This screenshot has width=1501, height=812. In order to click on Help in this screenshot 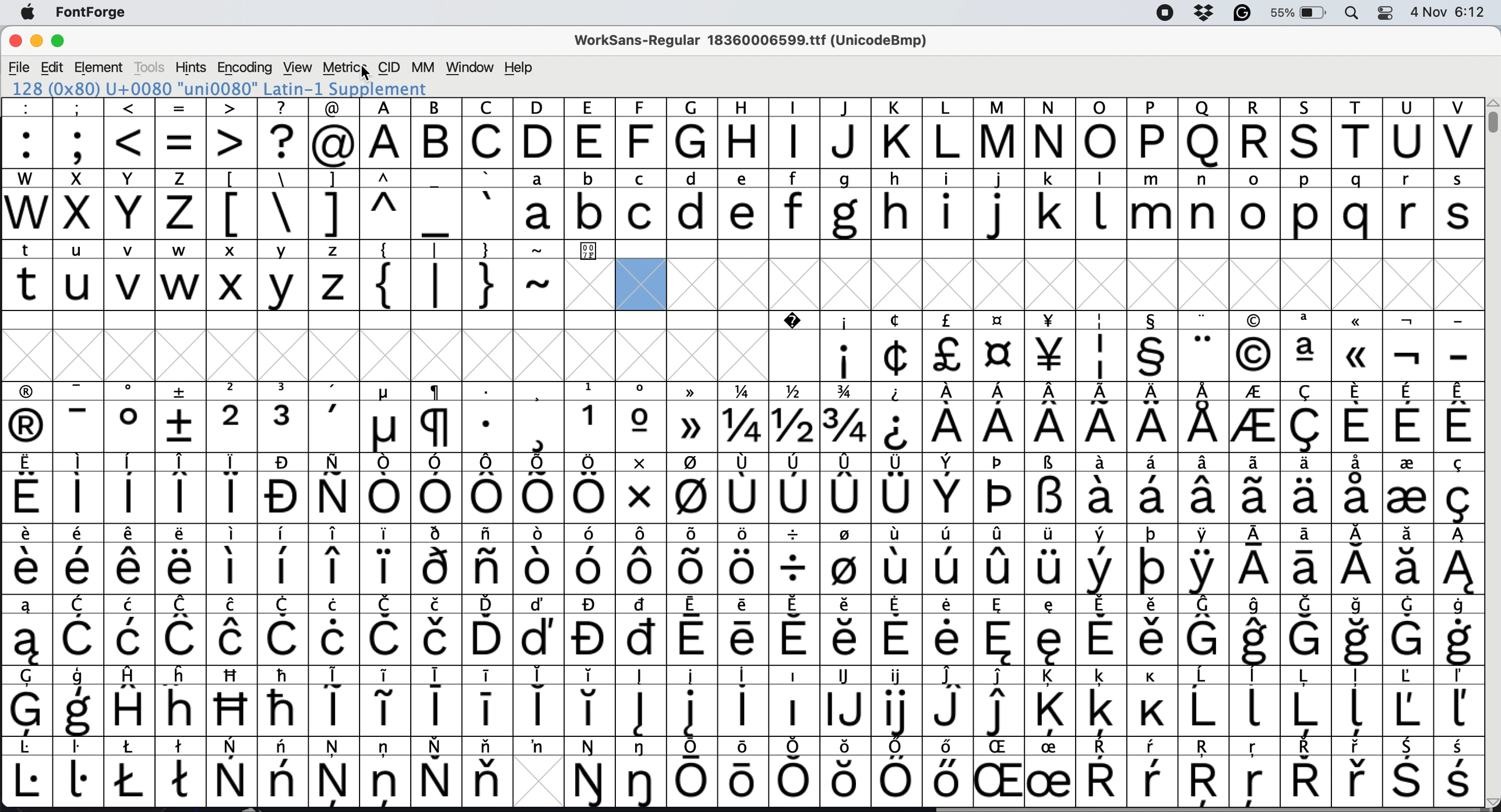, I will do `click(517, 68)`.